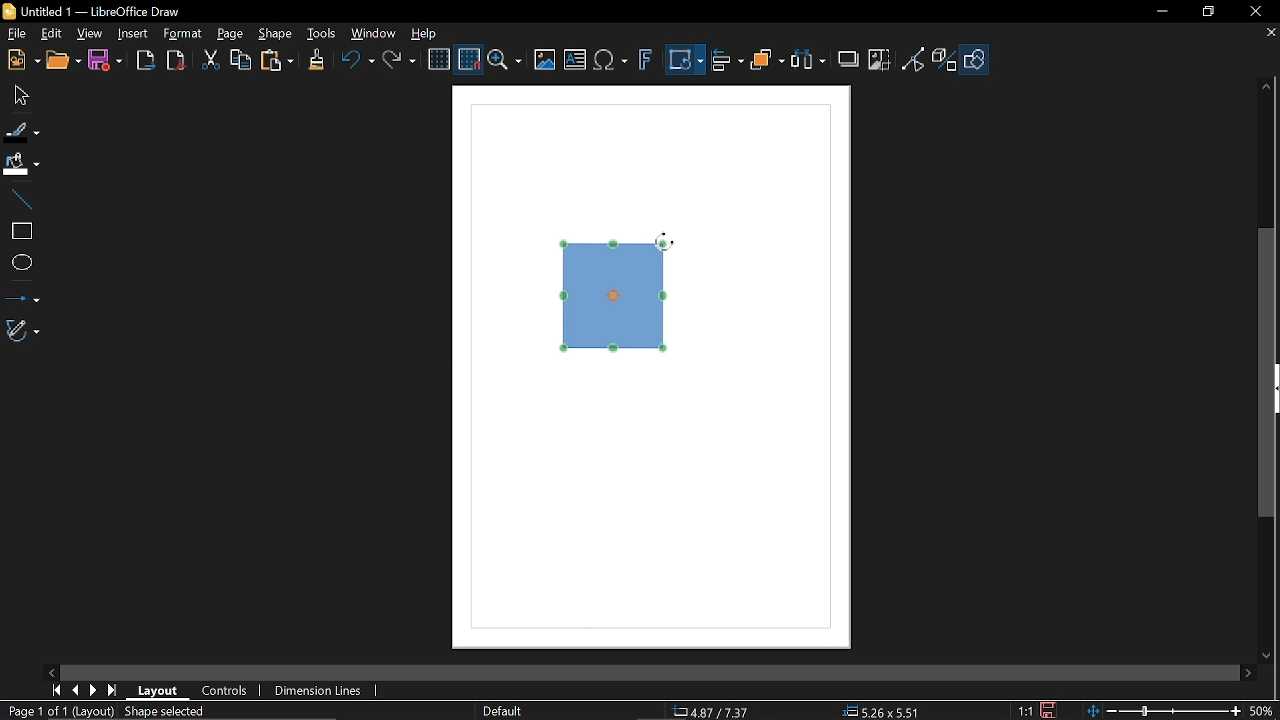  Describe the element at coordinates (93, 689) in the screenshot. I see `next page` at that location.